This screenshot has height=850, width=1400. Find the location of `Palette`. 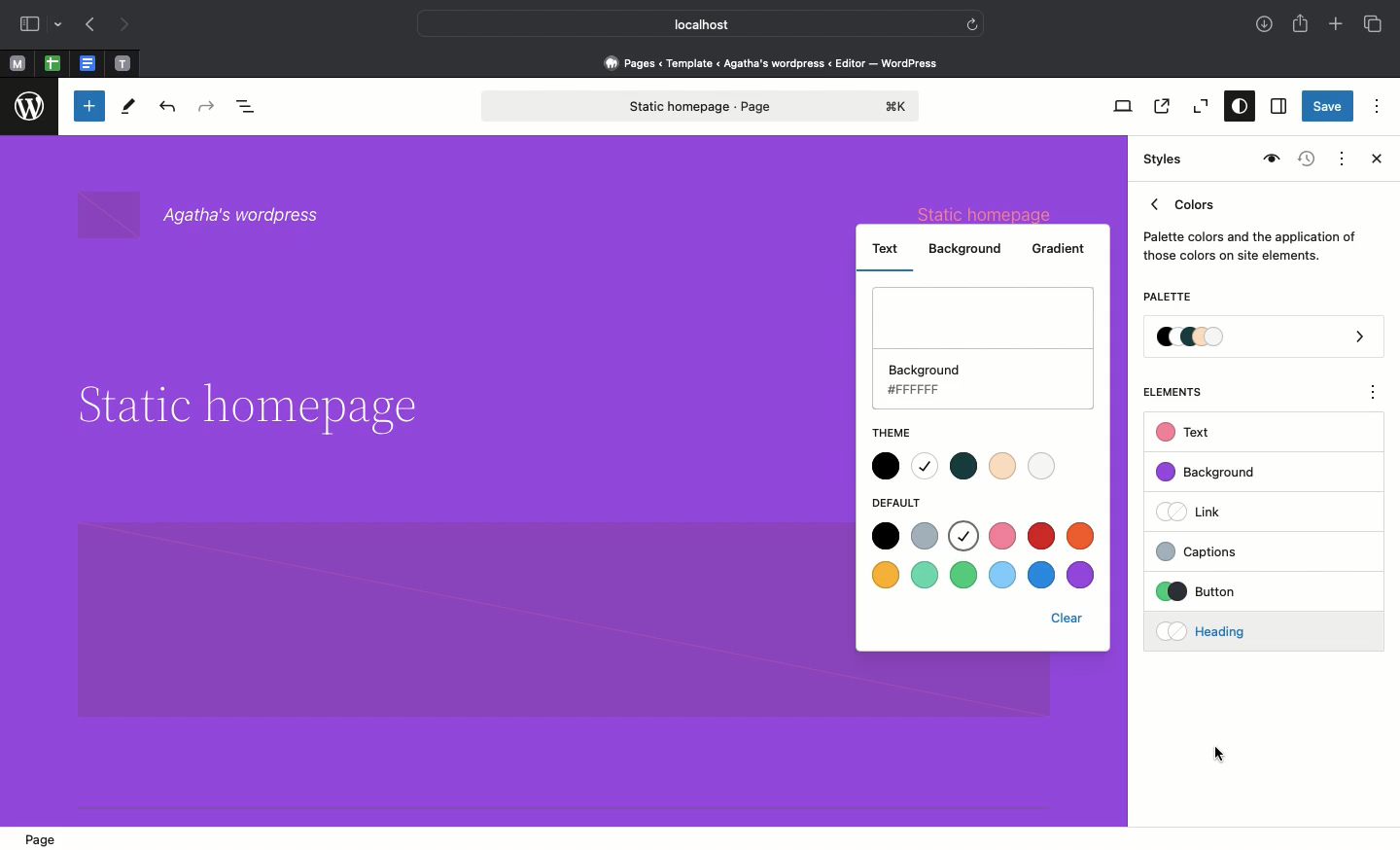

Palette is located at coordinates (1167, 299).